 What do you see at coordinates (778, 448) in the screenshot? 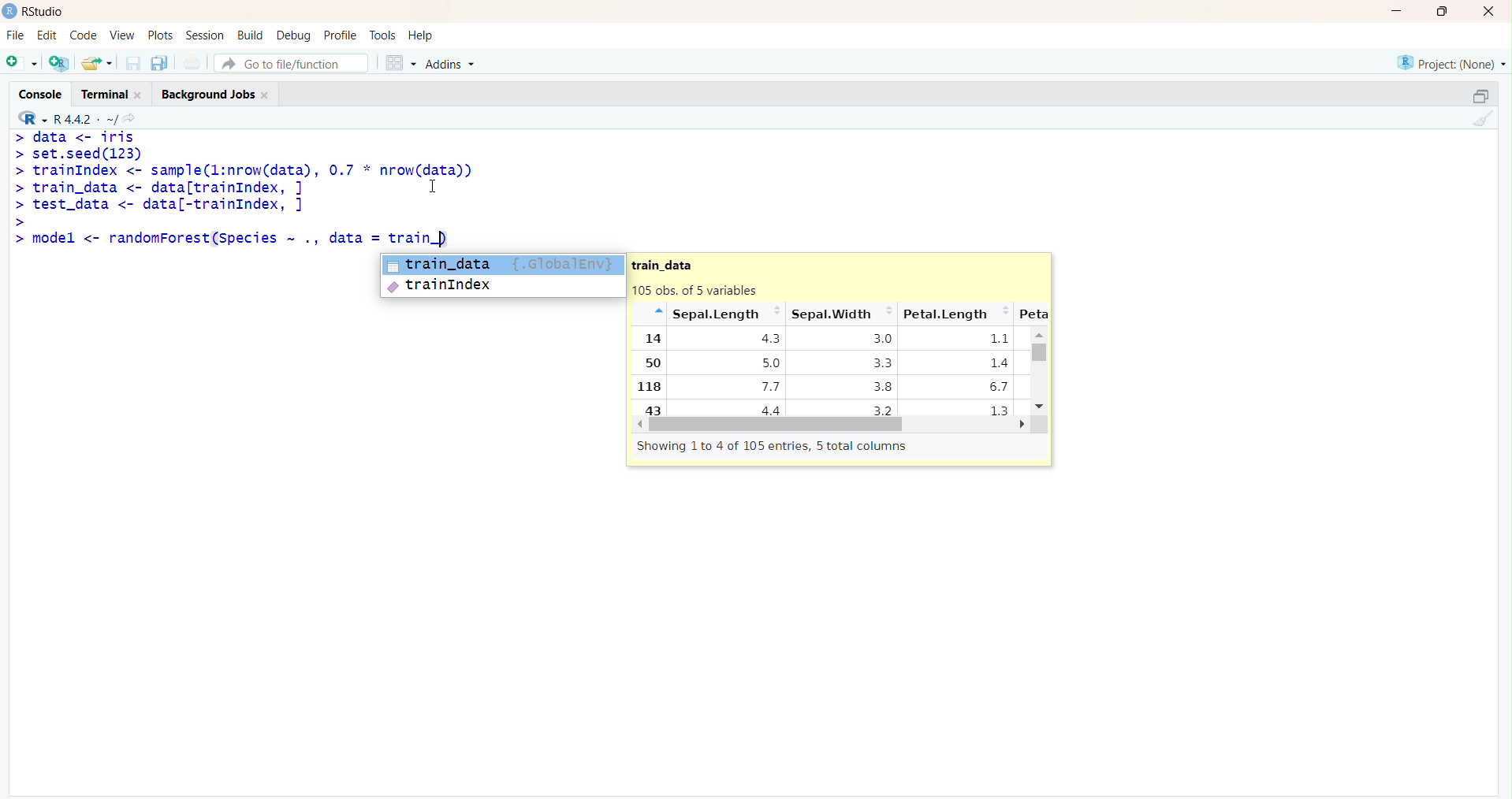
I see `Showing 1to 4 of 105 entries, 5 total columns` at bounding box center [778, 448].